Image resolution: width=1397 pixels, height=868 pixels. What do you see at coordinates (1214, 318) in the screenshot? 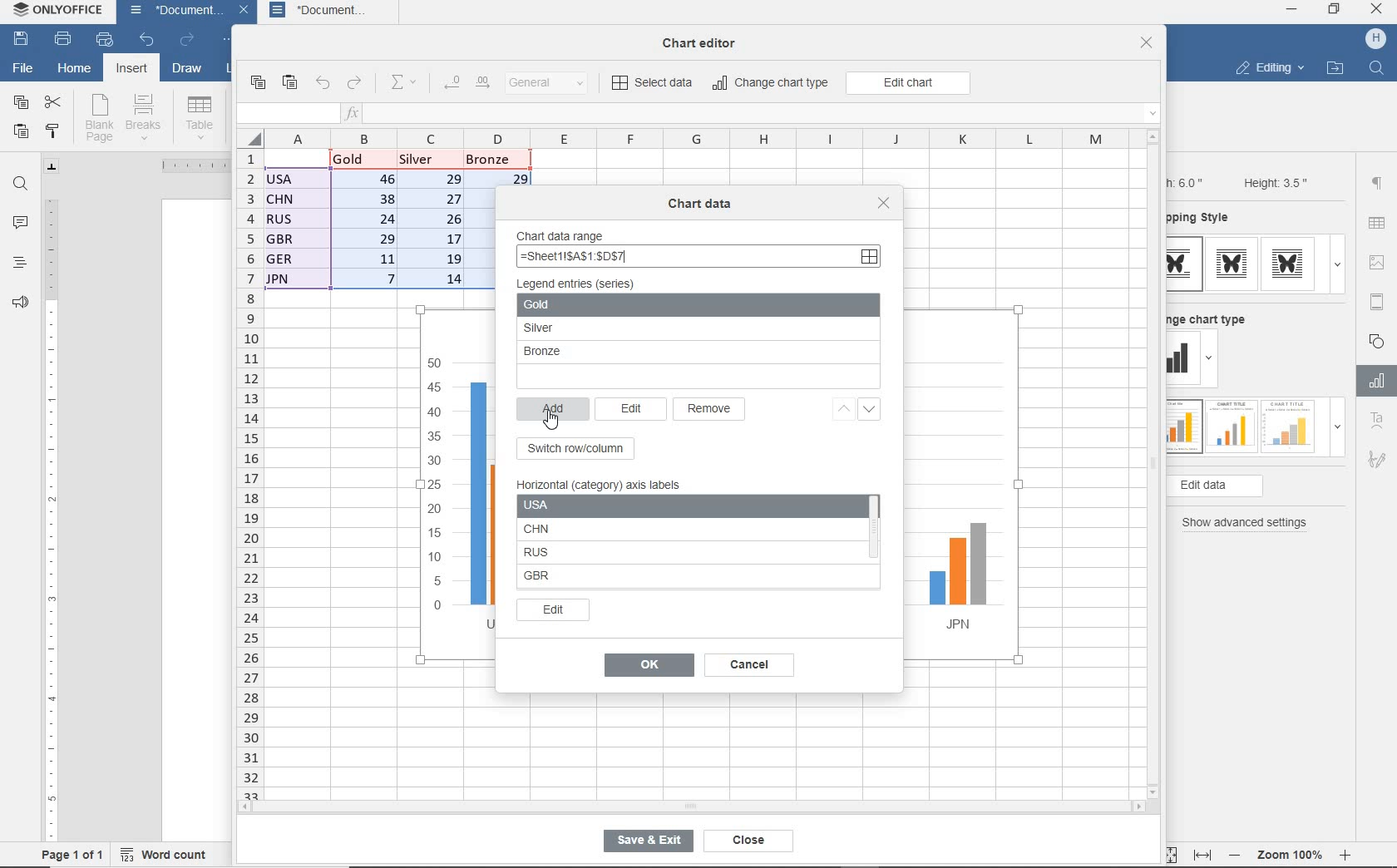
I see `change chart type` at bounding box center [1214, 318].